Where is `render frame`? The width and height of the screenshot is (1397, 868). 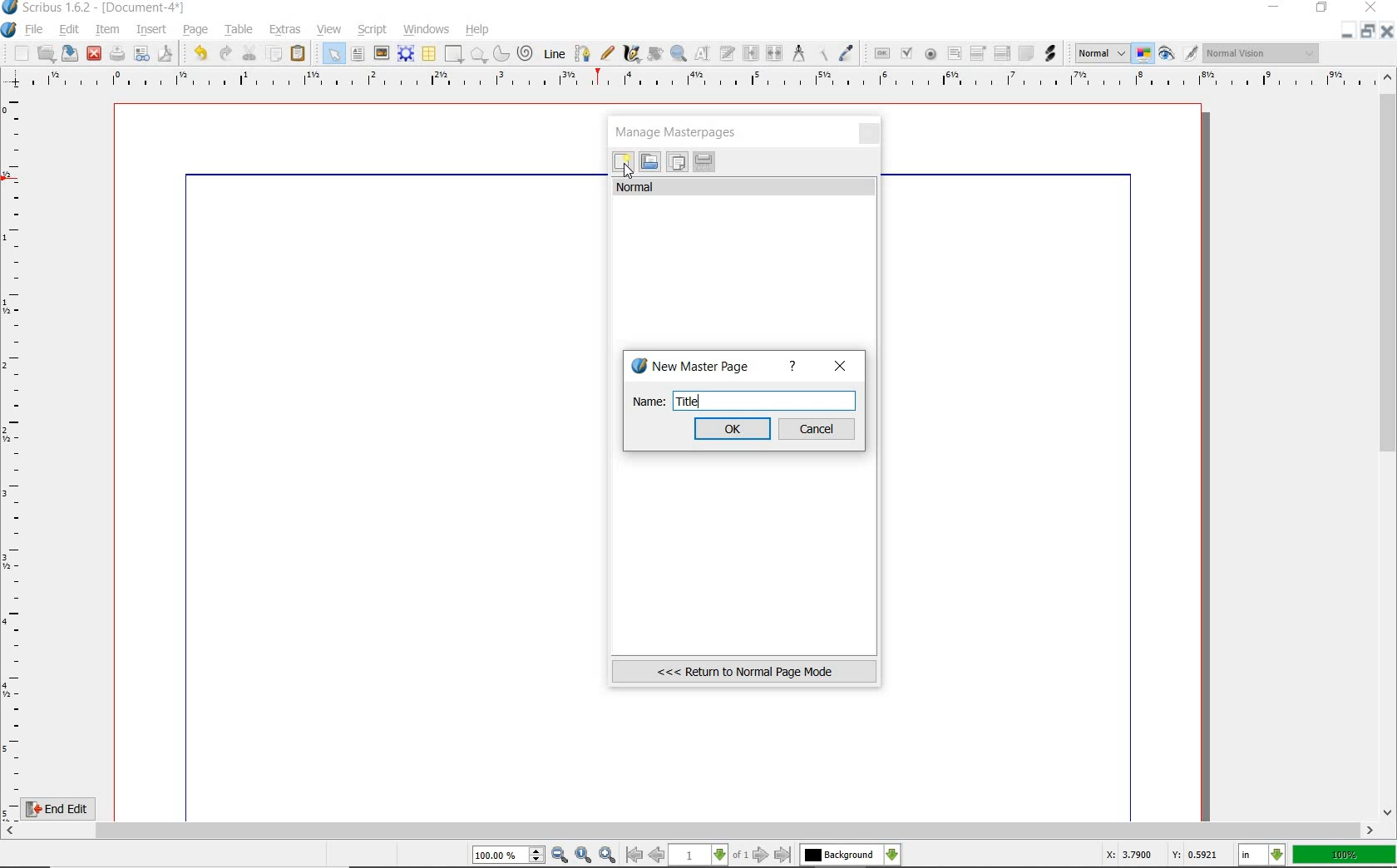
render frame is located at coordinates (406, 53).